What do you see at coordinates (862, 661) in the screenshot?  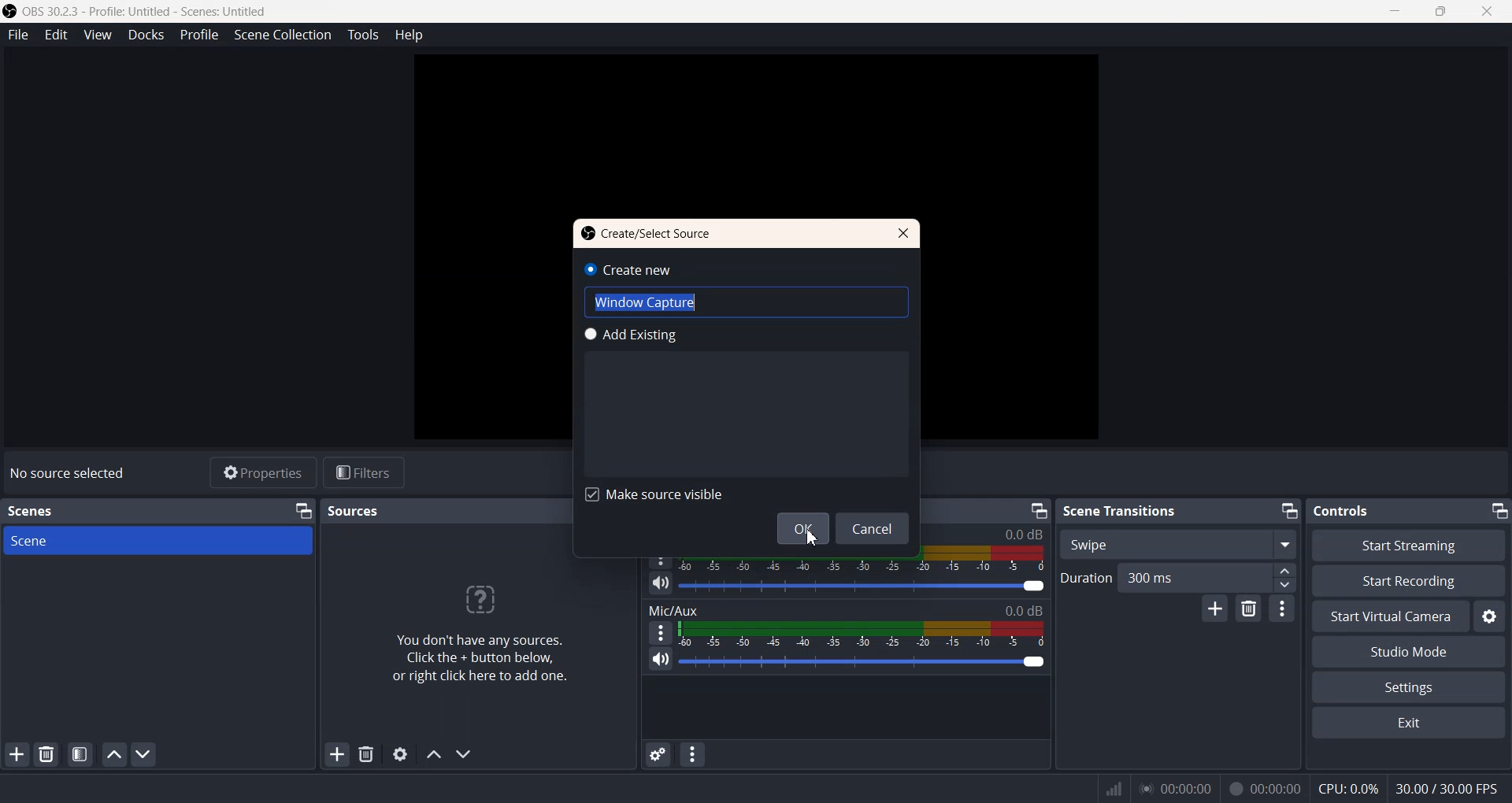 I see `Volume Adjuster` at bounding box center [862, 661].